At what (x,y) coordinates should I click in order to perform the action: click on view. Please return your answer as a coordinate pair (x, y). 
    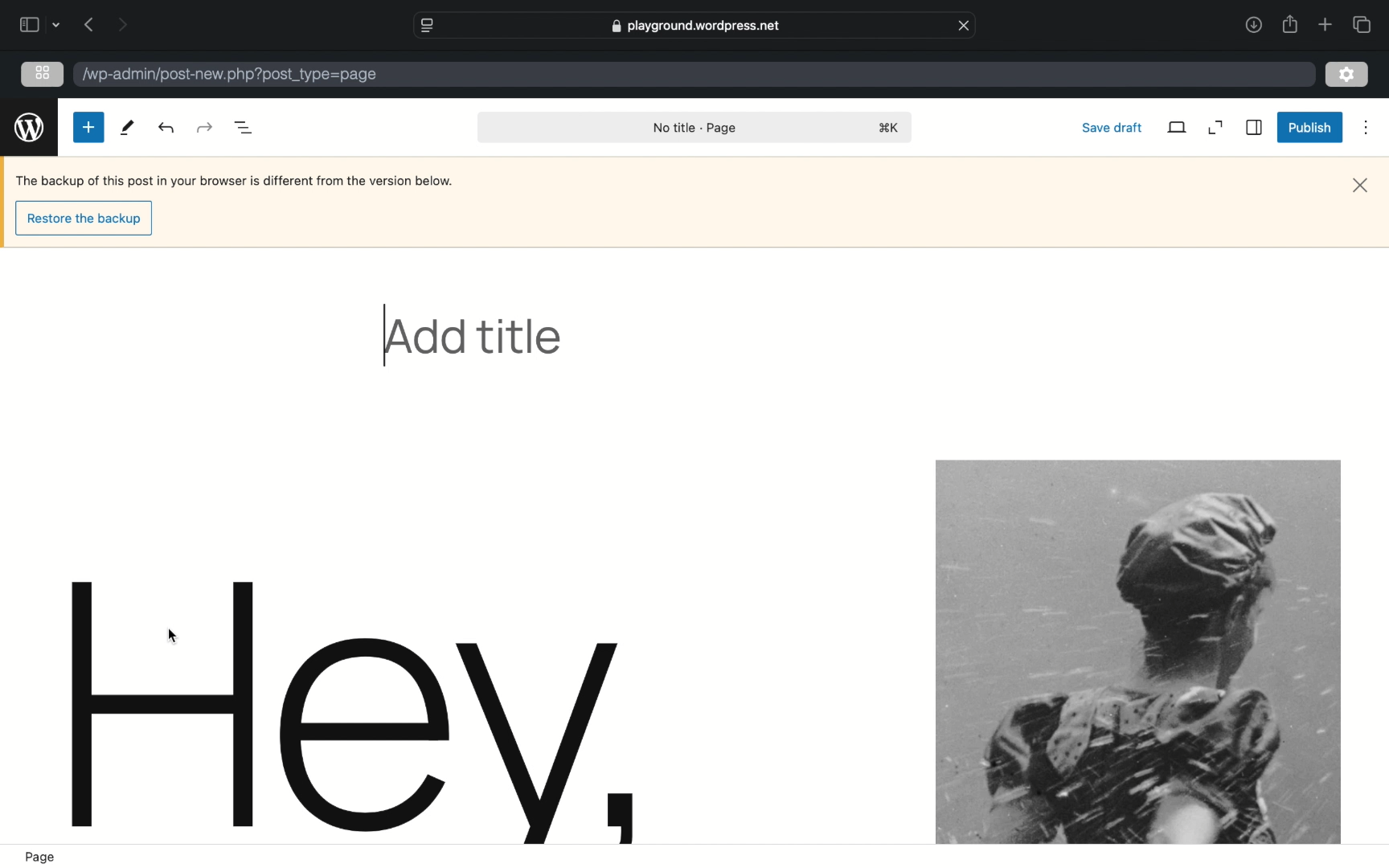
    Looking at the image, I should click on (1176, 126).